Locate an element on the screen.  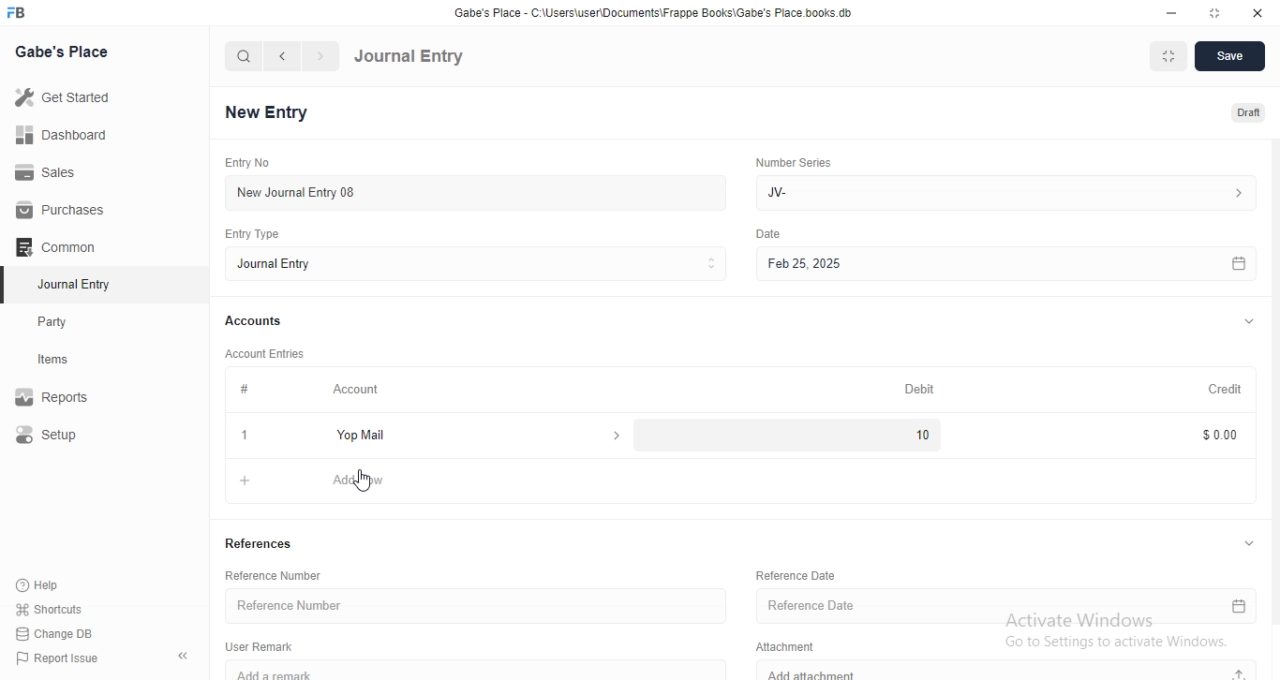
Draft is located at coordinates (1238, 111).